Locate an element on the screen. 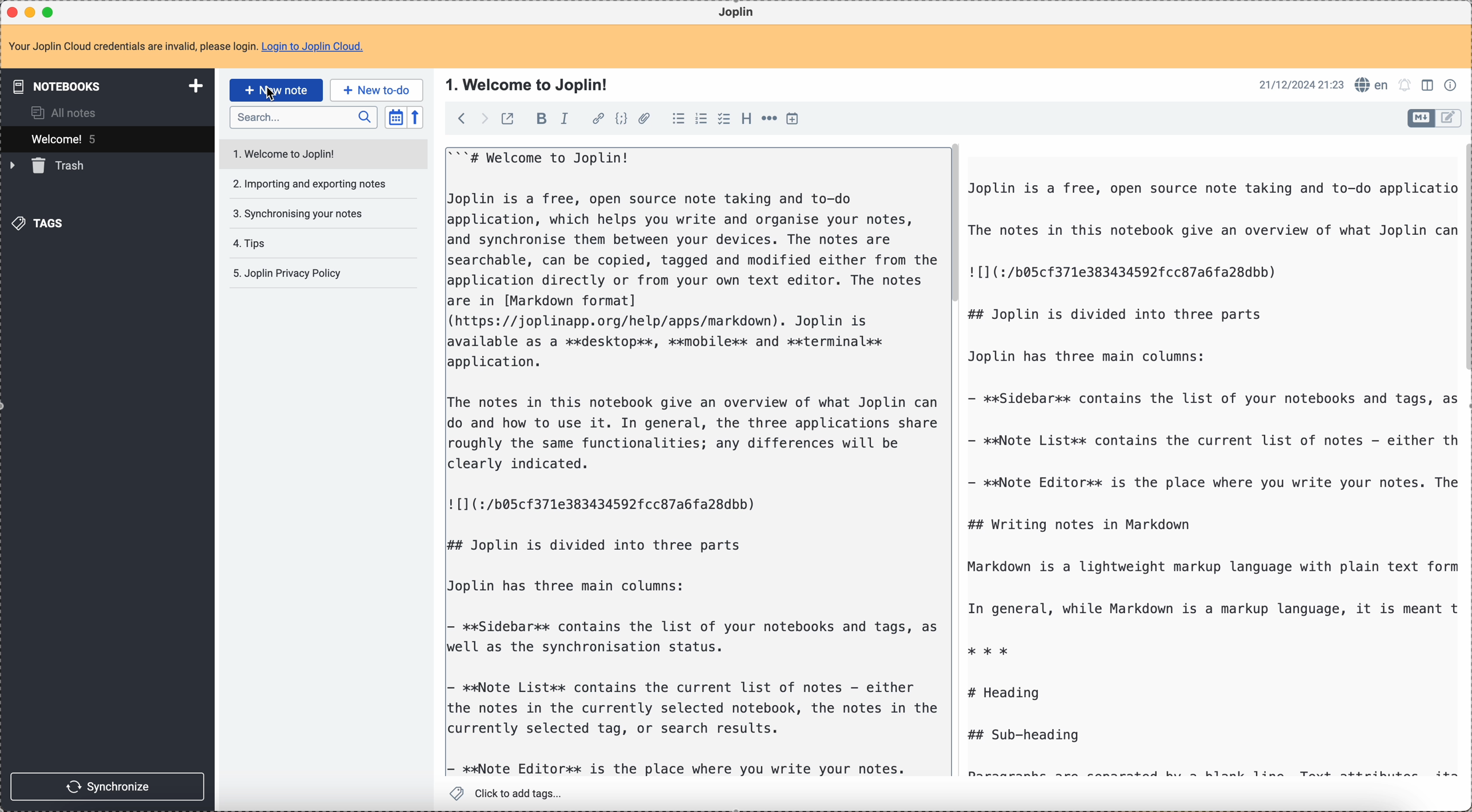 The width and height of the screenshot is (1472, 812). click to add tags is located at coordinates (508, 794).